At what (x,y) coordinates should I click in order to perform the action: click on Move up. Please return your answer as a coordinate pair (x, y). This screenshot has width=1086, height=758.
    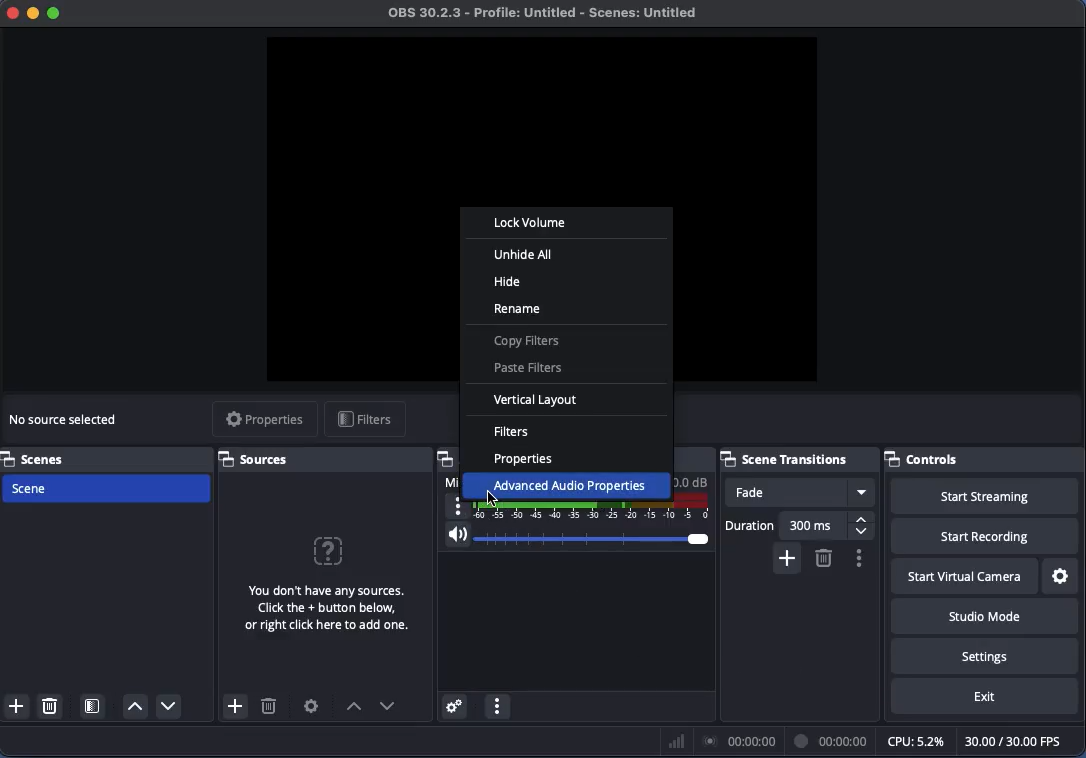
    Looking at the image, I should click on (353, 708).